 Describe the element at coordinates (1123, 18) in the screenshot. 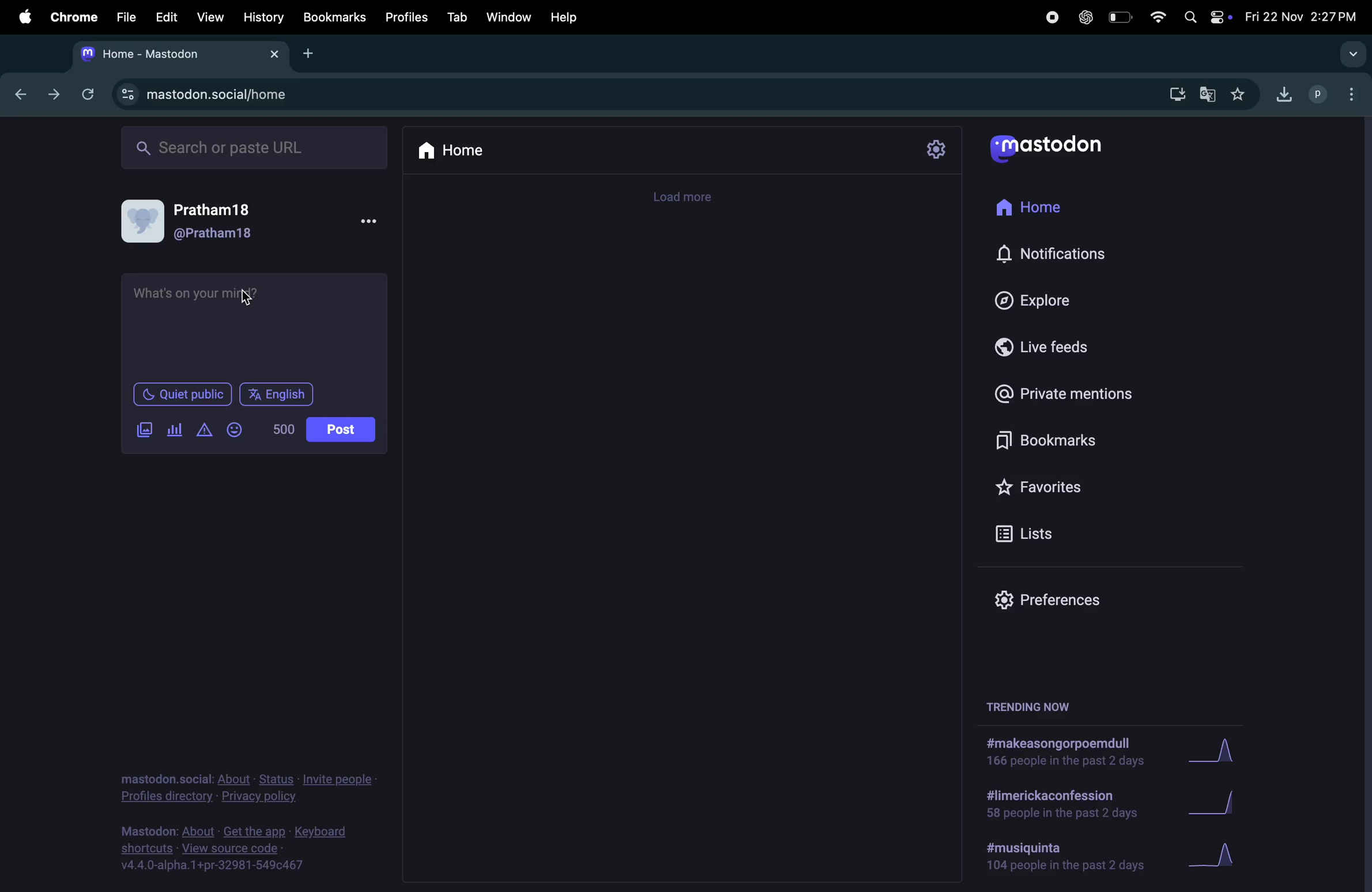

I see `battery` at that location.